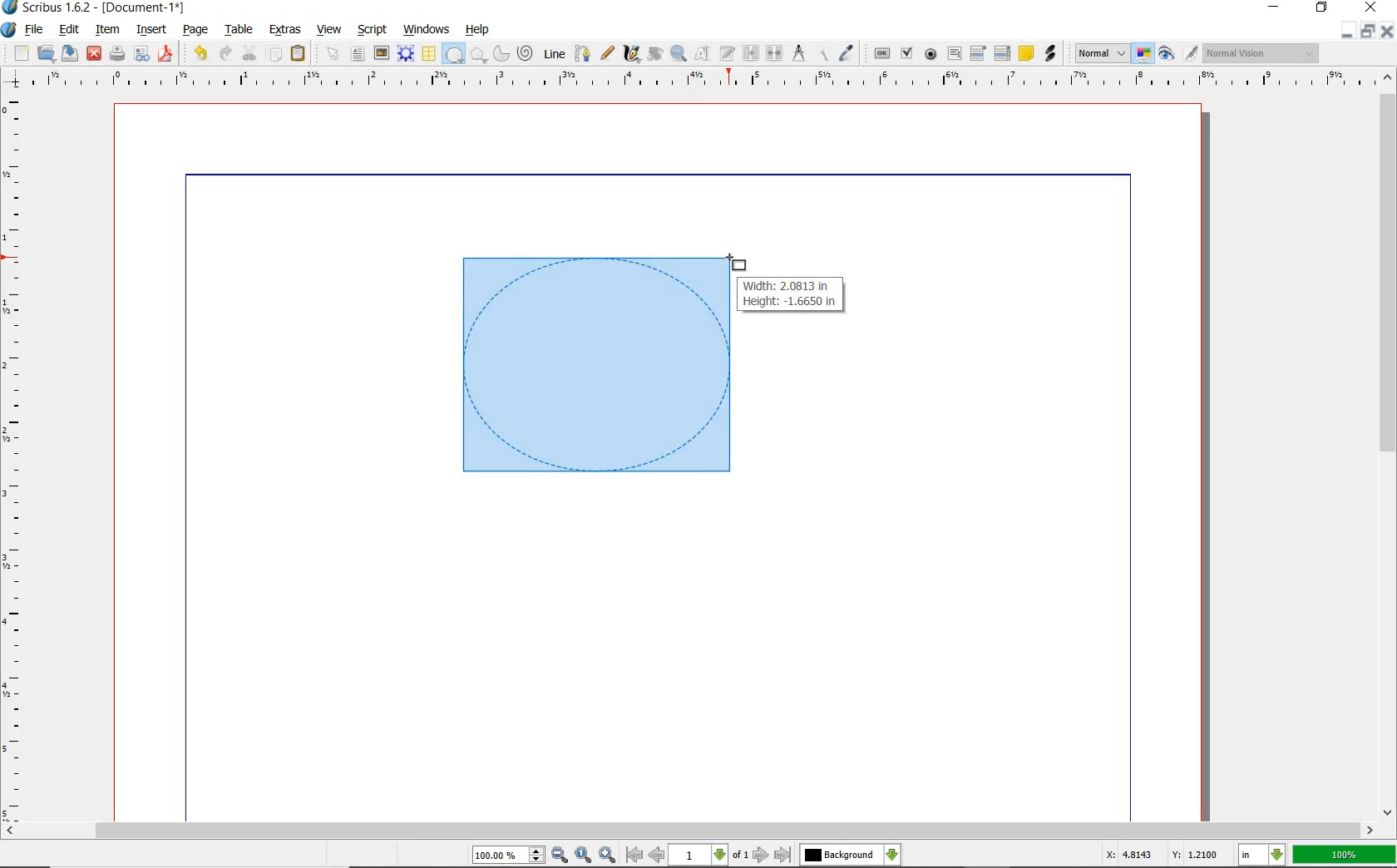 This screenshot has width=1397, height=868. What do you see at coordinates (892, 855) in the screenshot?
I see `select the current layer` at bounding box center [892, 855].